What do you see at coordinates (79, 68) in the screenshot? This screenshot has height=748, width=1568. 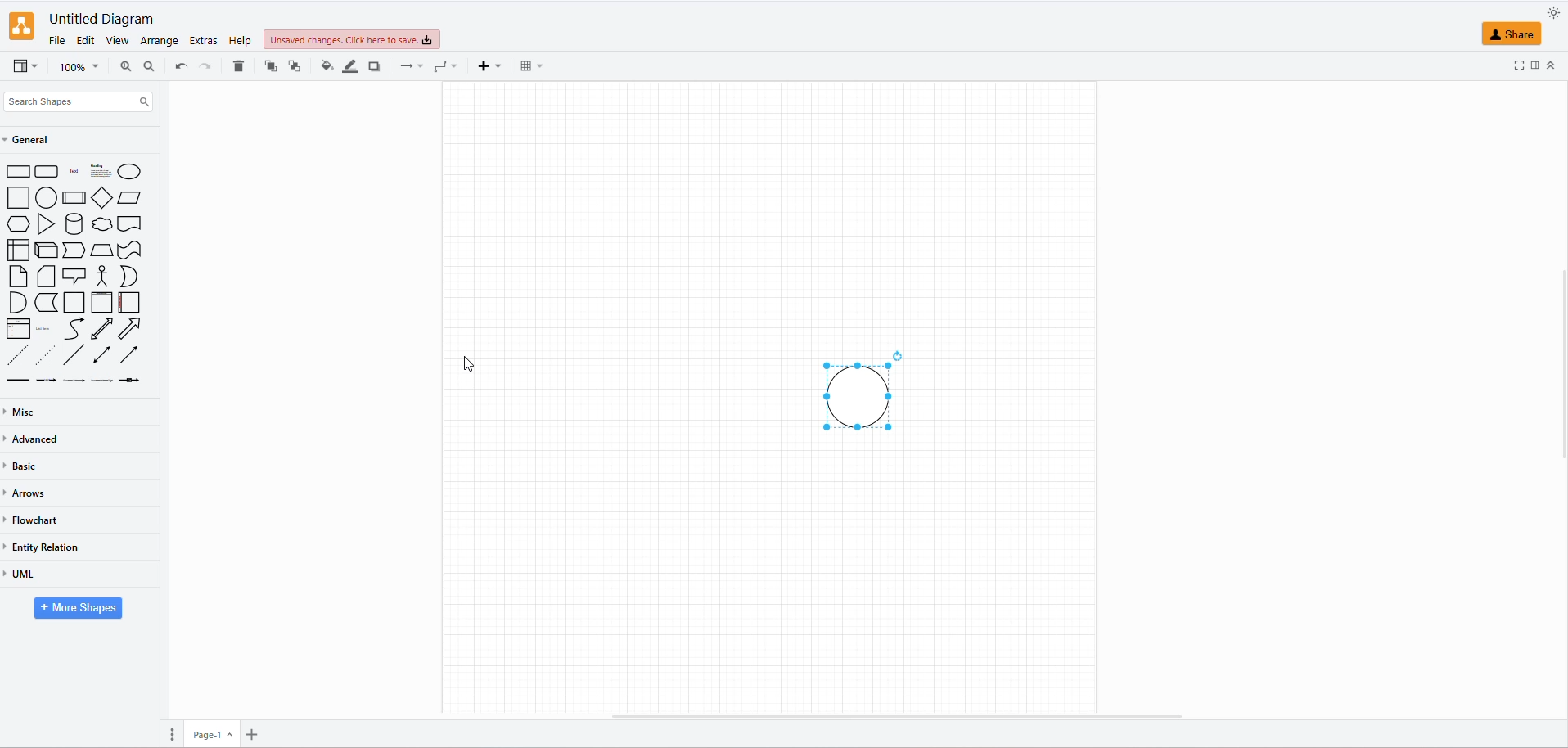 I see `ZOOM` at bounding box center [79, 68].